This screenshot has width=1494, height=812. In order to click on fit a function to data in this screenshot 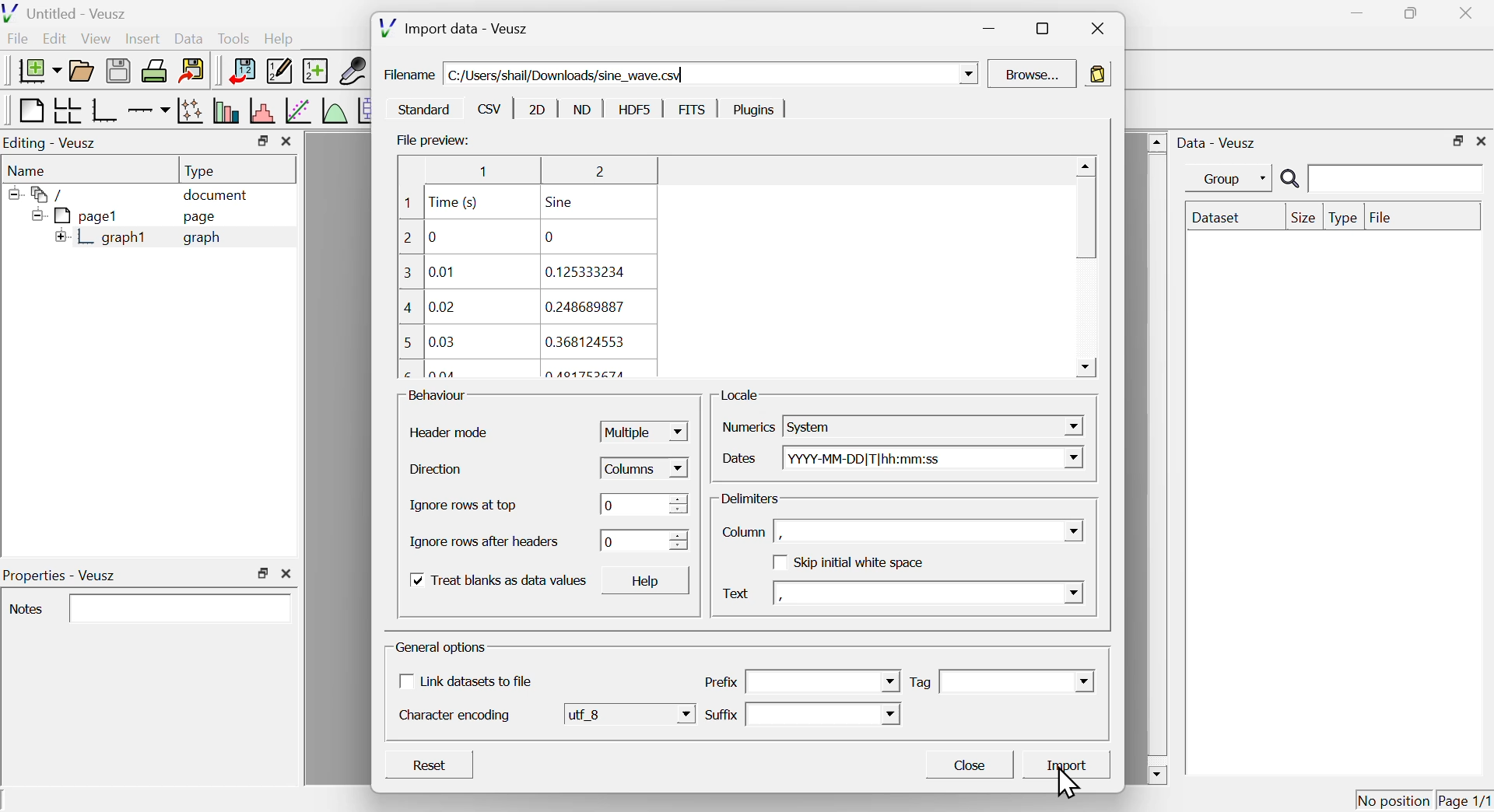, I will do `click(297, 111)`.